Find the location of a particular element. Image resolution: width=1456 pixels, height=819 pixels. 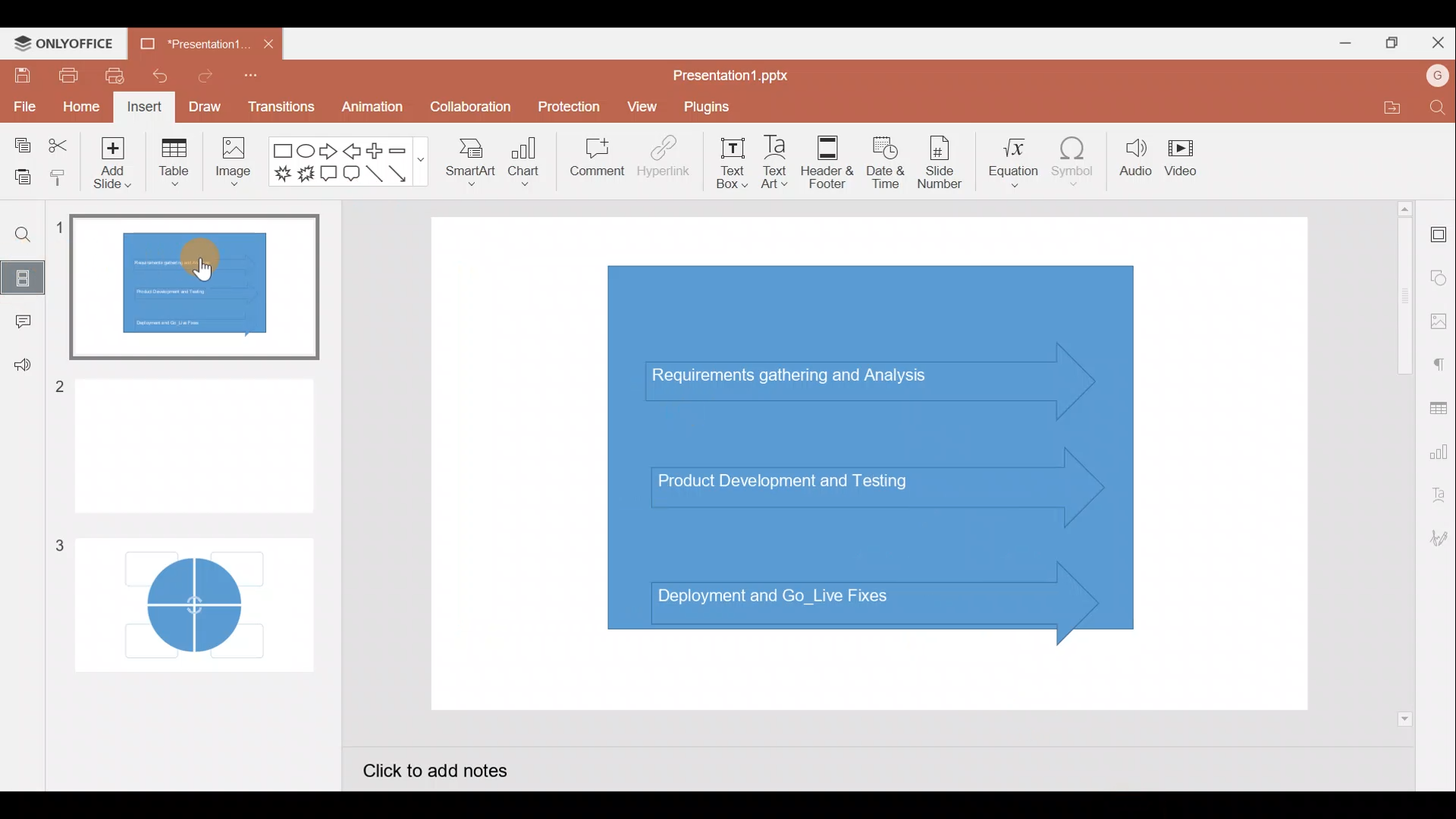

Click to add notes is located at coordinates (446, 767).